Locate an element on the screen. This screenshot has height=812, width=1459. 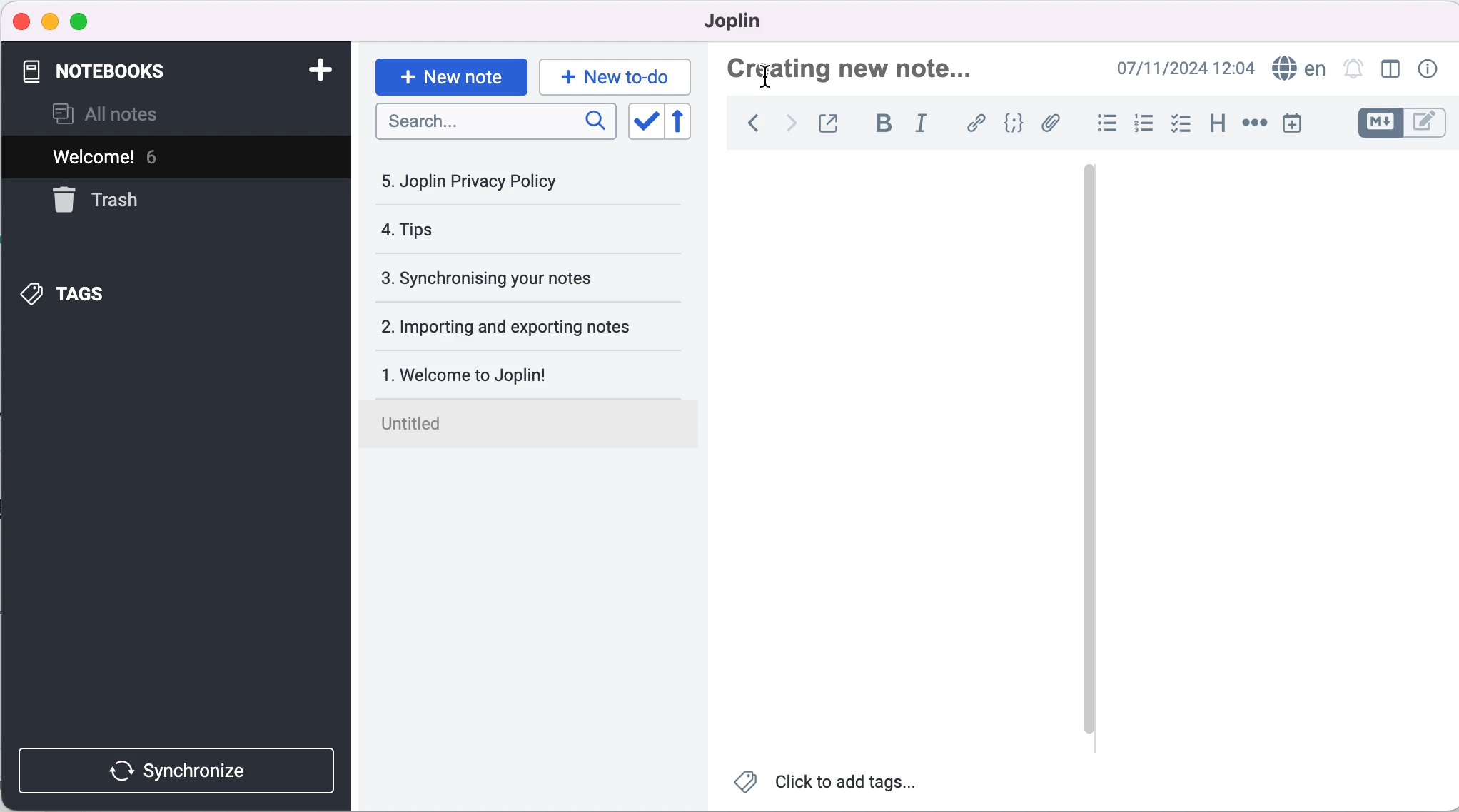
trash is located at coordinates (111, 206).